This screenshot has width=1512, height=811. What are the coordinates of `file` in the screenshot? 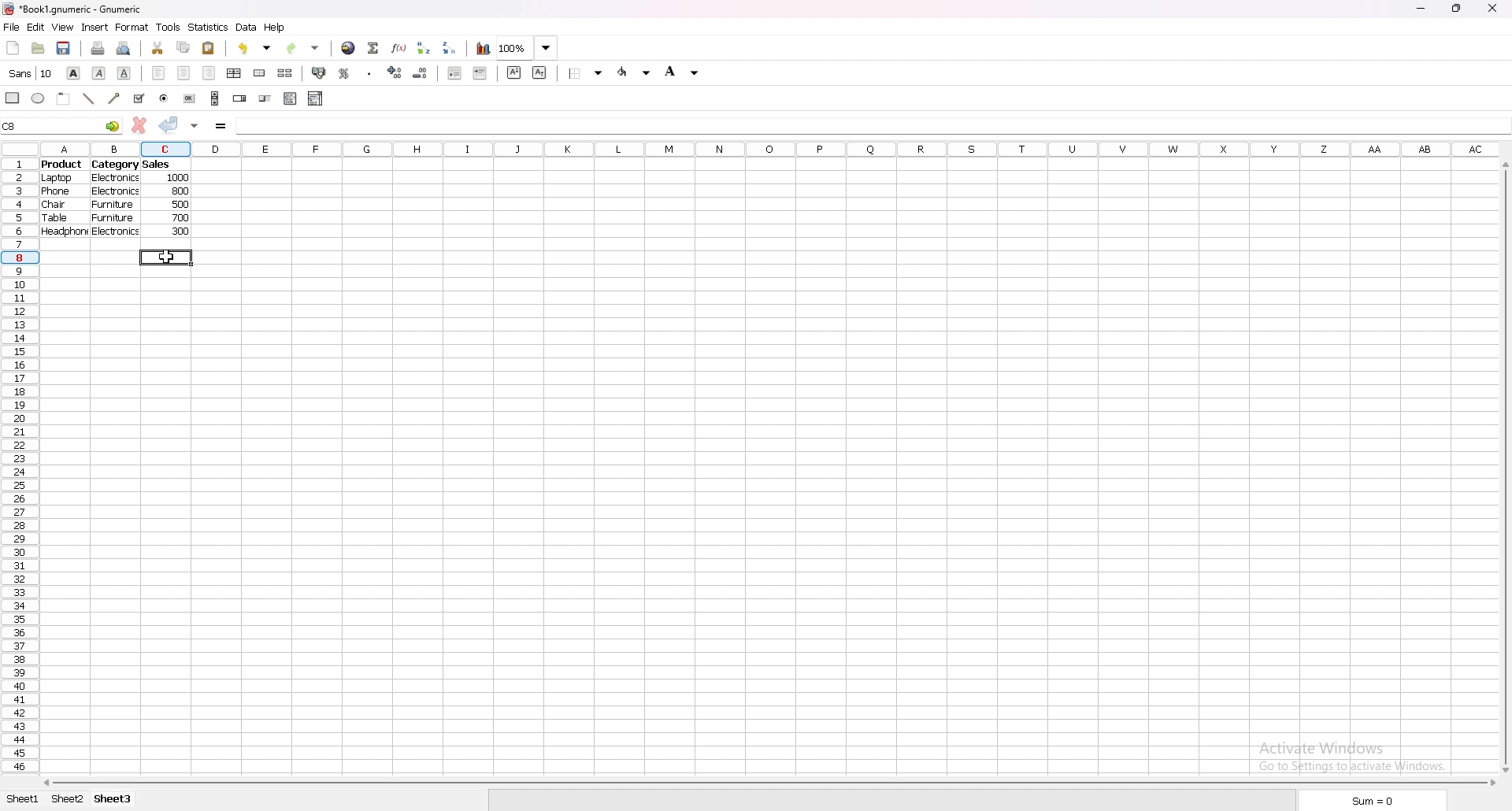 It's located at (13, 27).